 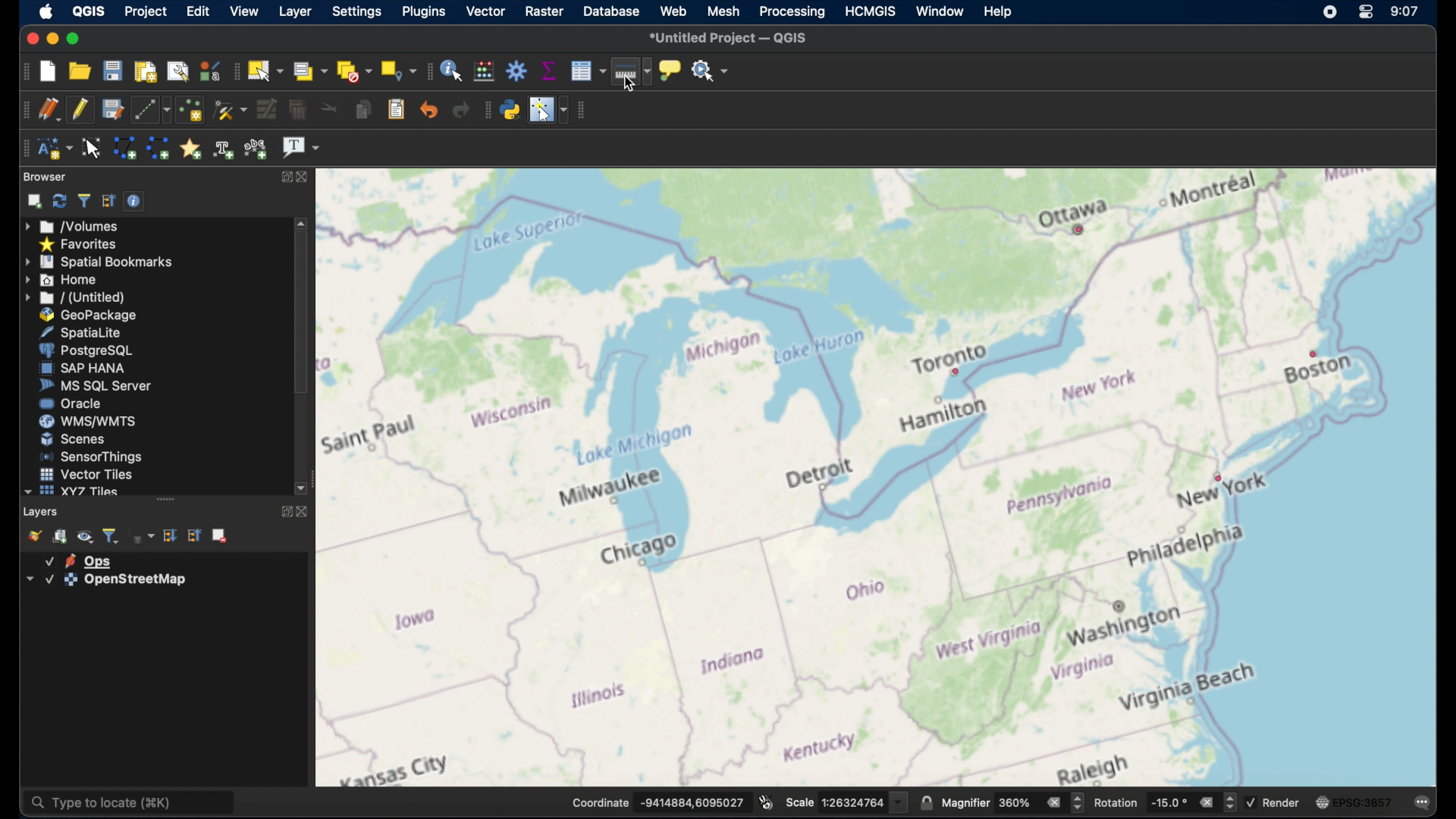 What do you see at coordinates (31, 201) in the screenshot?
I see `add selected layers` at bounding box center [31, 201].